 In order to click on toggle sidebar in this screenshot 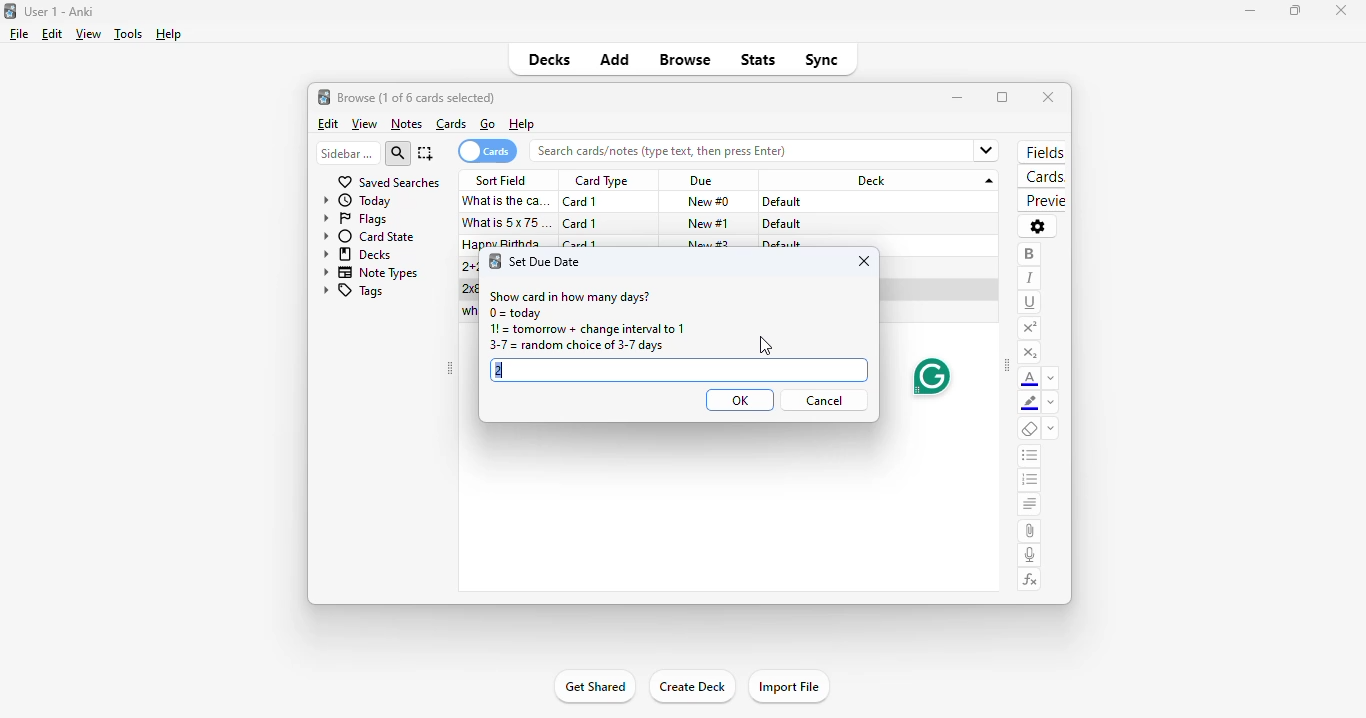, I will do `click(1007, 367)`.